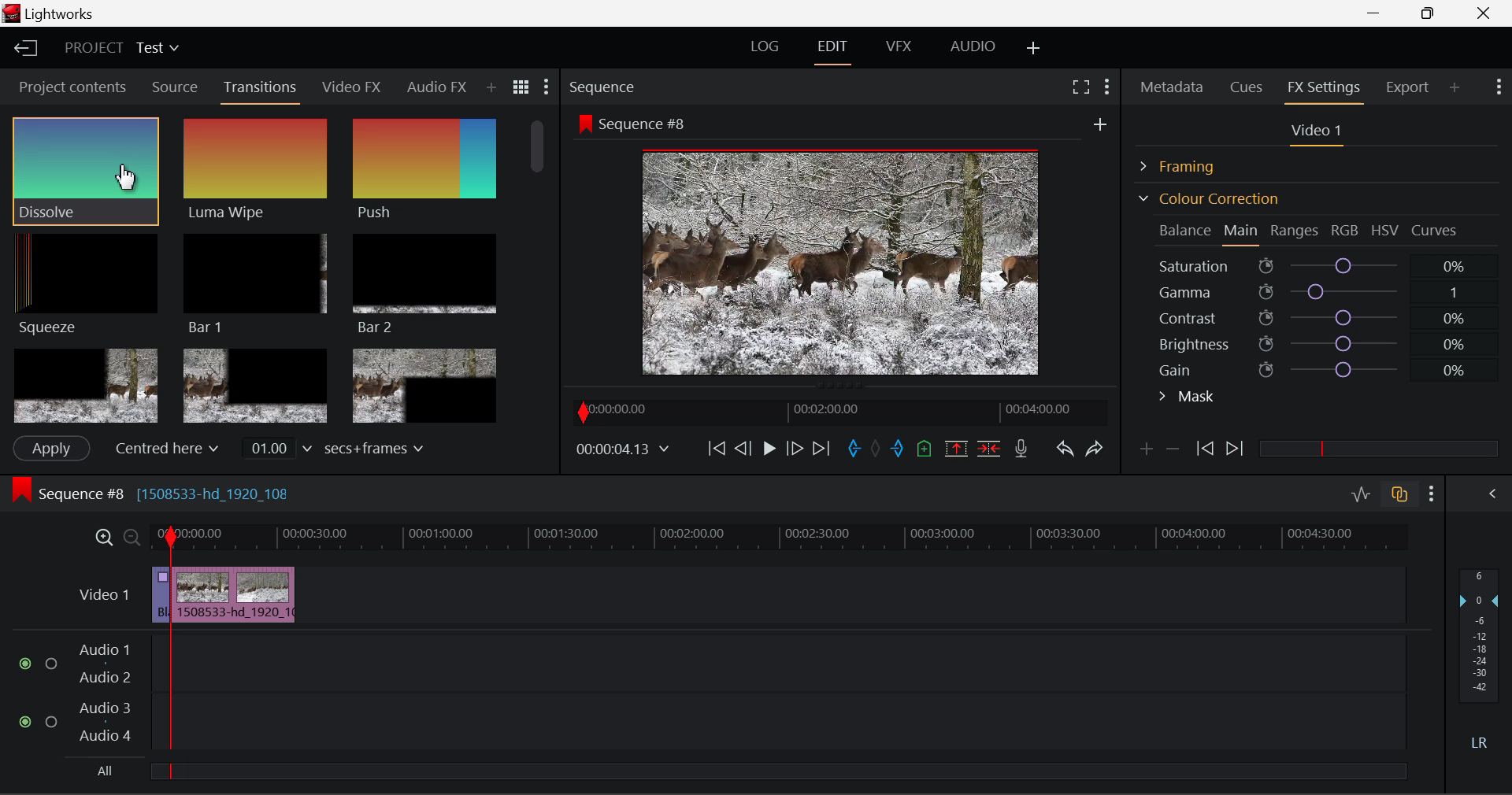  What do you see at coordinates (20, 49) in the screenshot?
I see `Back to Homepage` at bounding box center [20, 49].